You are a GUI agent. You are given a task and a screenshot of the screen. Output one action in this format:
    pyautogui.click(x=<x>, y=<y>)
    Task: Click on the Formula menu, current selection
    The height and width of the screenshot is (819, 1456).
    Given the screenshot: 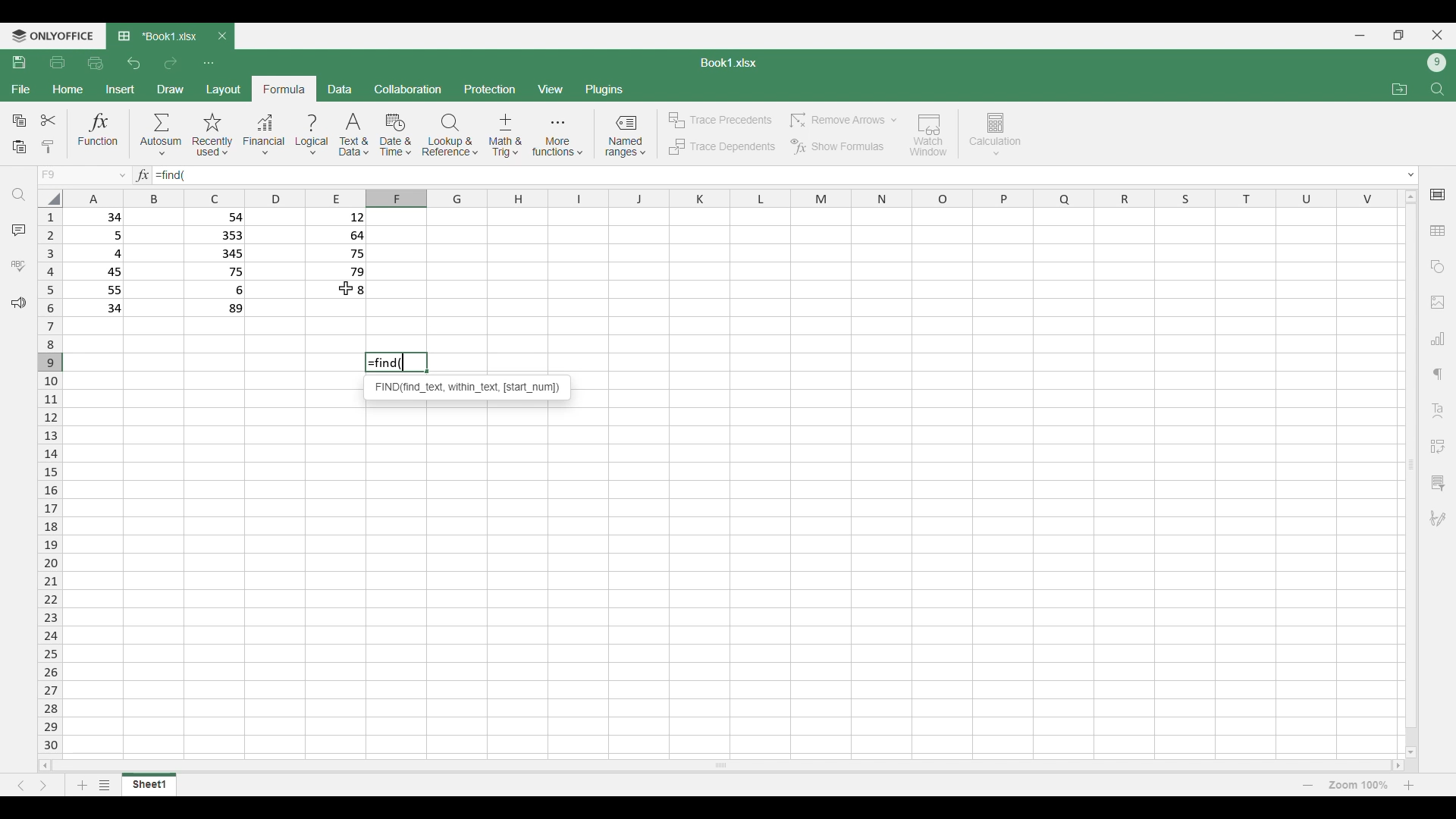 What is the action you would take?
    pyautogui.click(x=285, y=89)
    